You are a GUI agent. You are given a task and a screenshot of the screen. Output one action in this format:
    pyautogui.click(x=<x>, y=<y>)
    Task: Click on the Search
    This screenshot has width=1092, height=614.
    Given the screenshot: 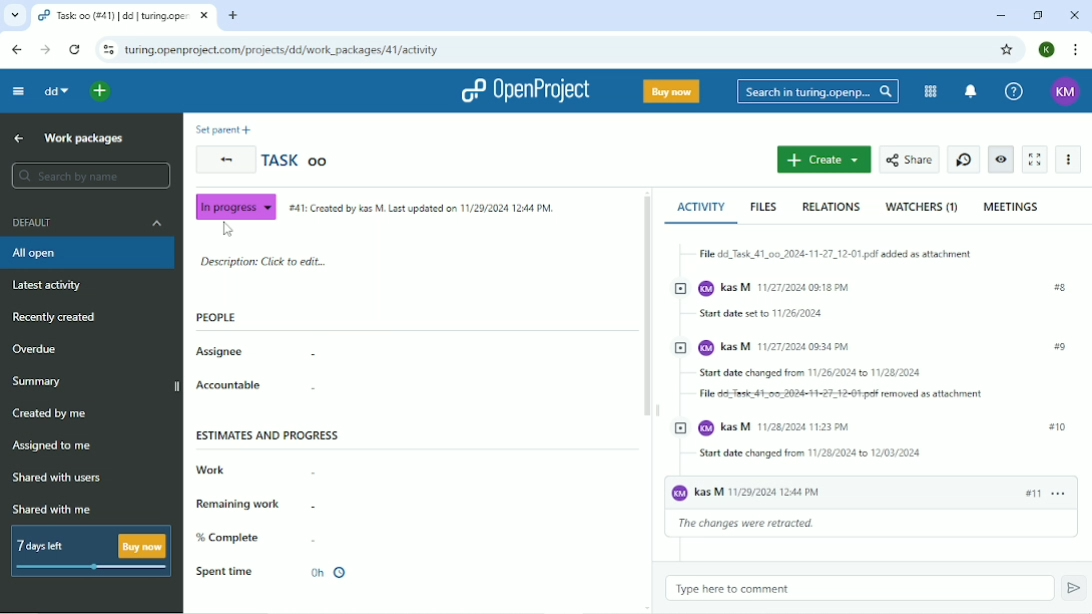 What is the action you would take?
    pyautogui.click(x=816, y=92)
    